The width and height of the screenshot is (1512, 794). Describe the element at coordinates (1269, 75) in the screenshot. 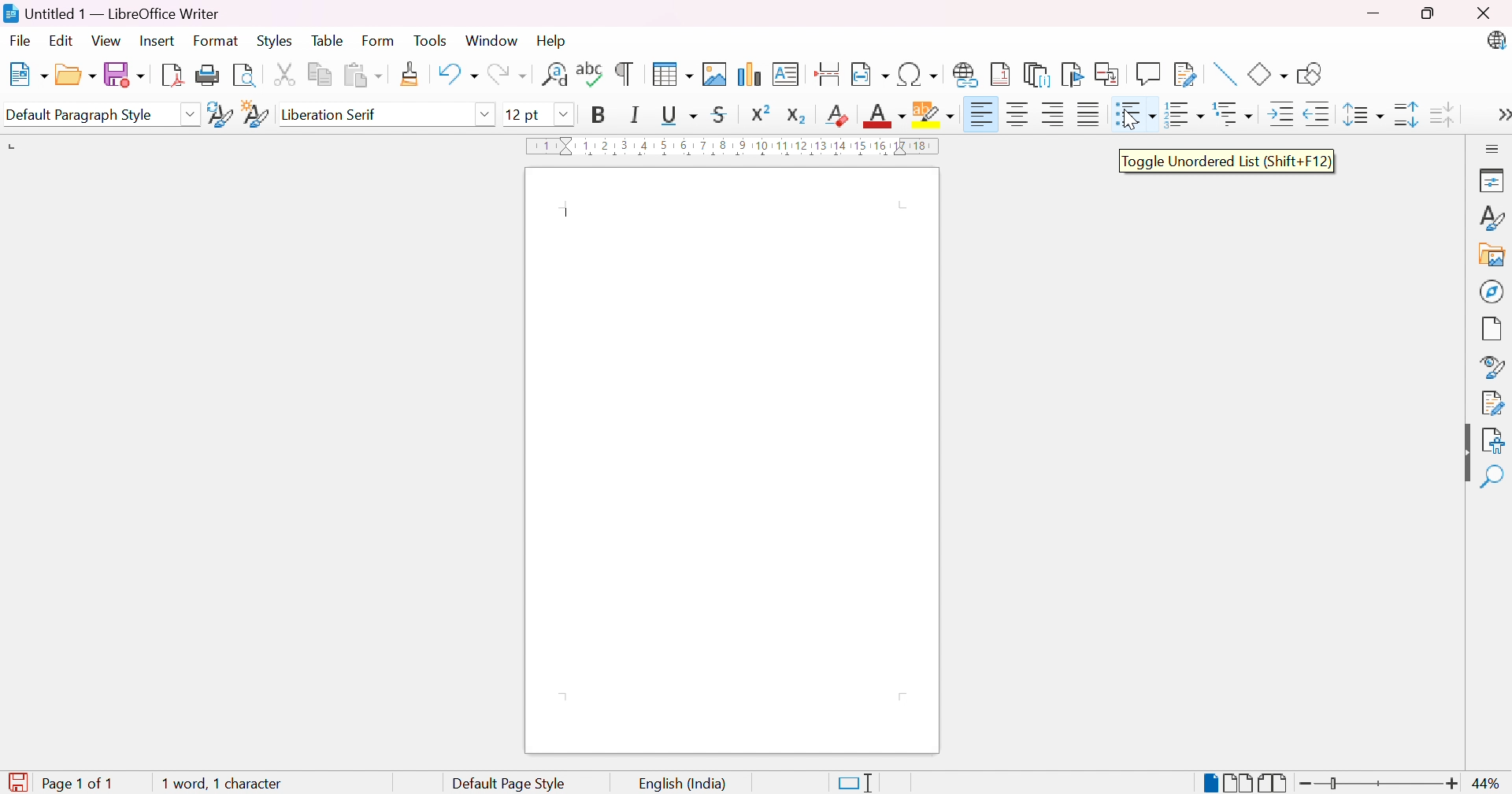

I see `Basic shapes` at that location.